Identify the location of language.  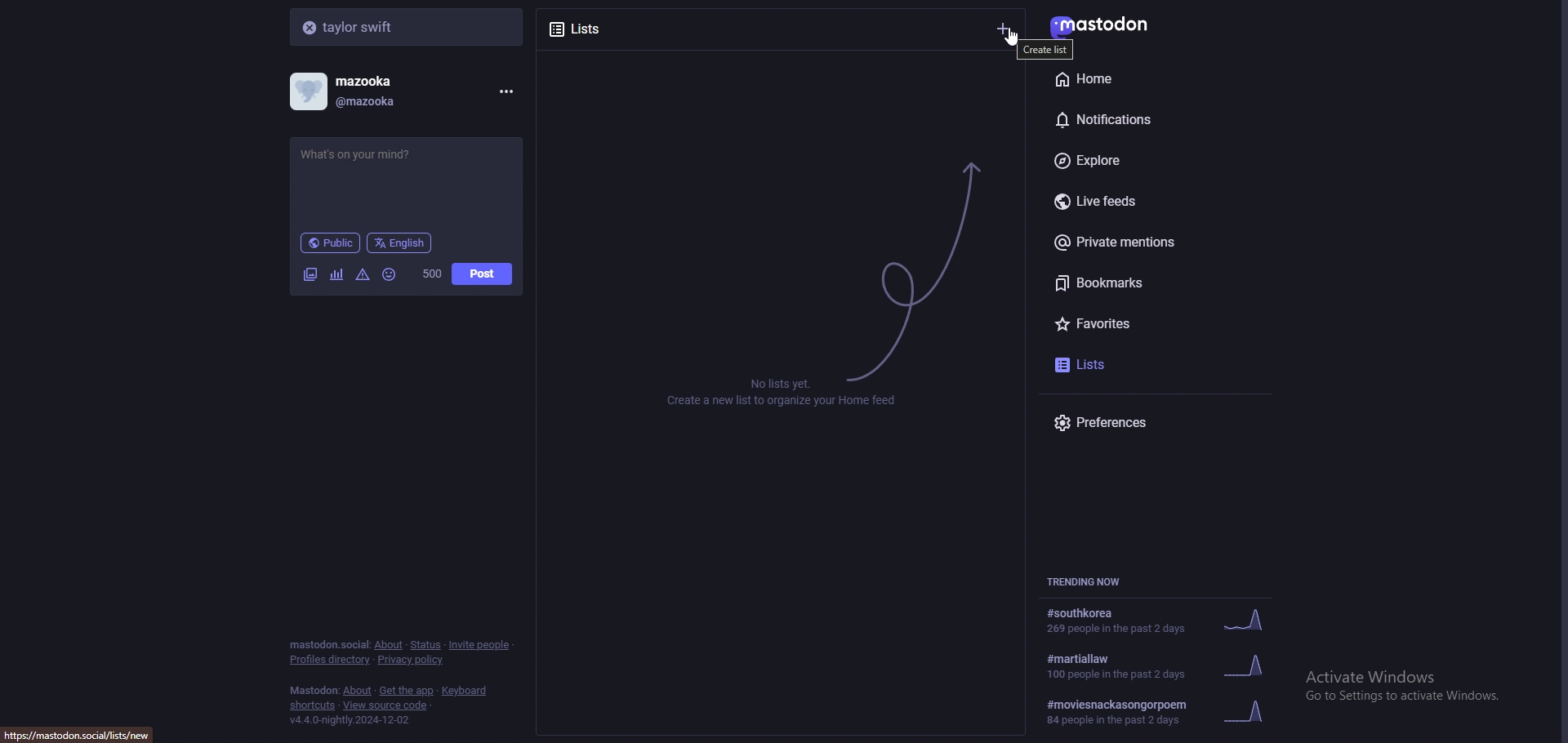
(400, 242).